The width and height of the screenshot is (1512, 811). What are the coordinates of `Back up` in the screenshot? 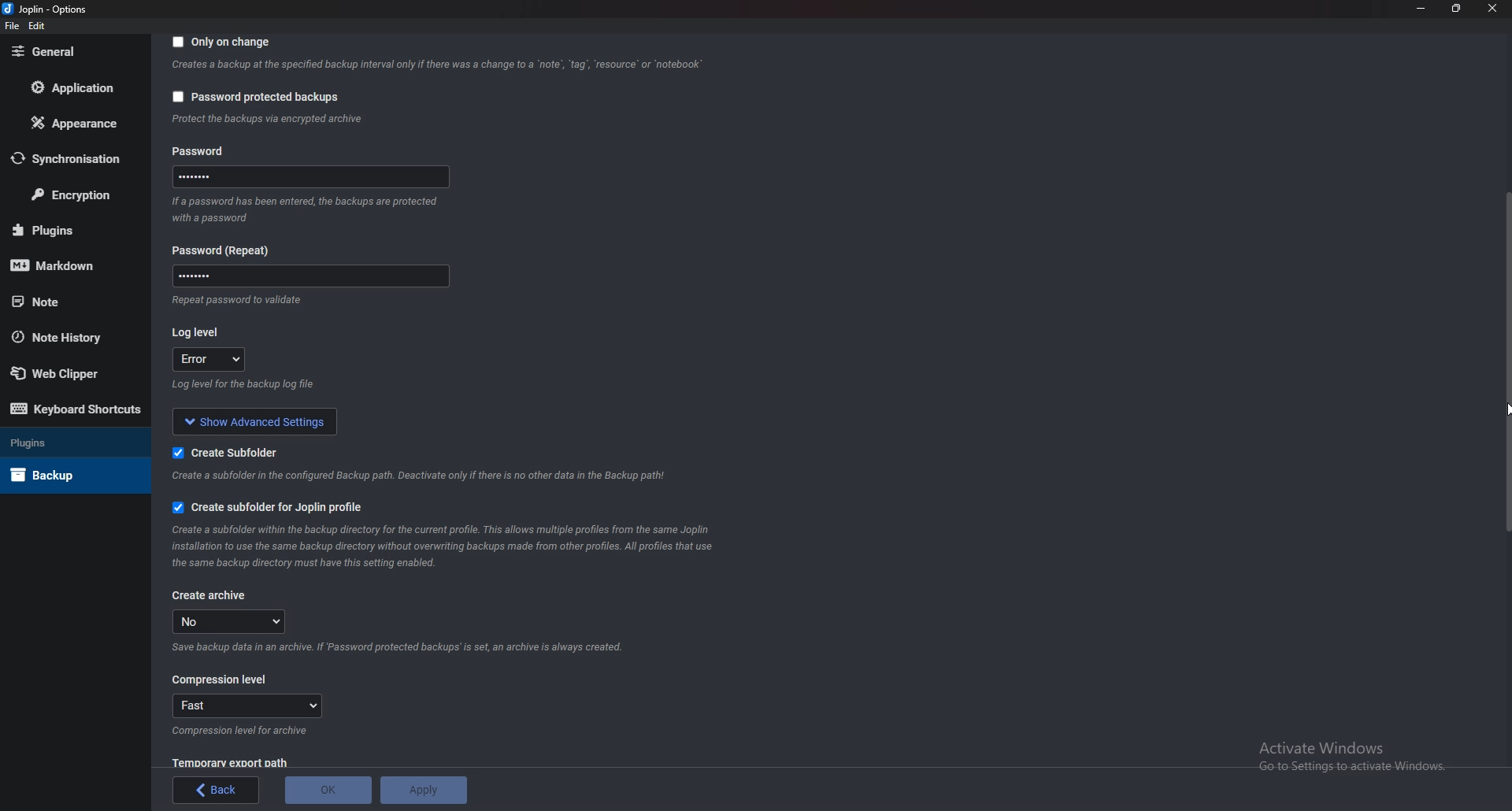 It's located at (65, 475).